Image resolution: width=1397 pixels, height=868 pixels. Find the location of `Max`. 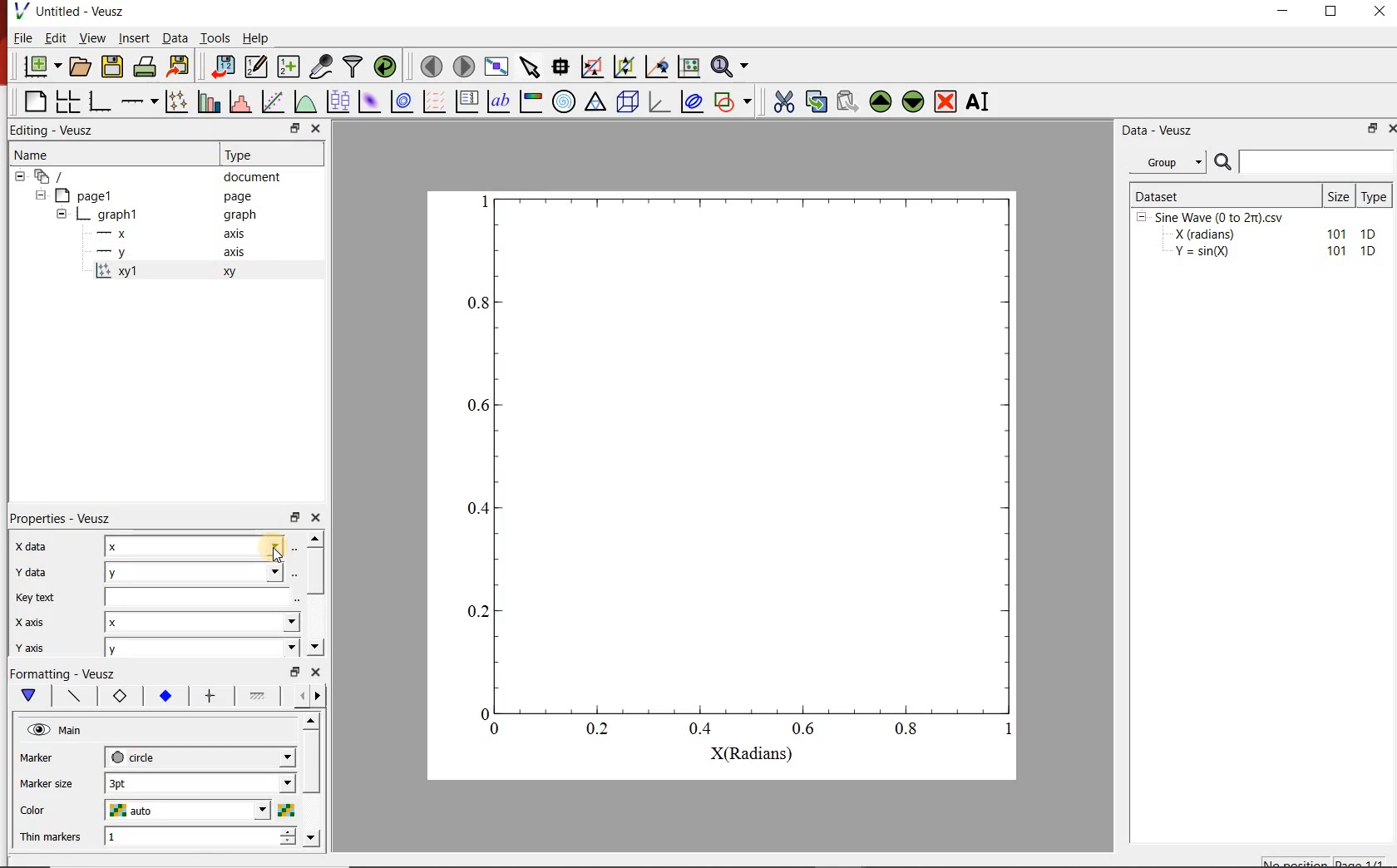

Max is located at coordinates (37, 595).